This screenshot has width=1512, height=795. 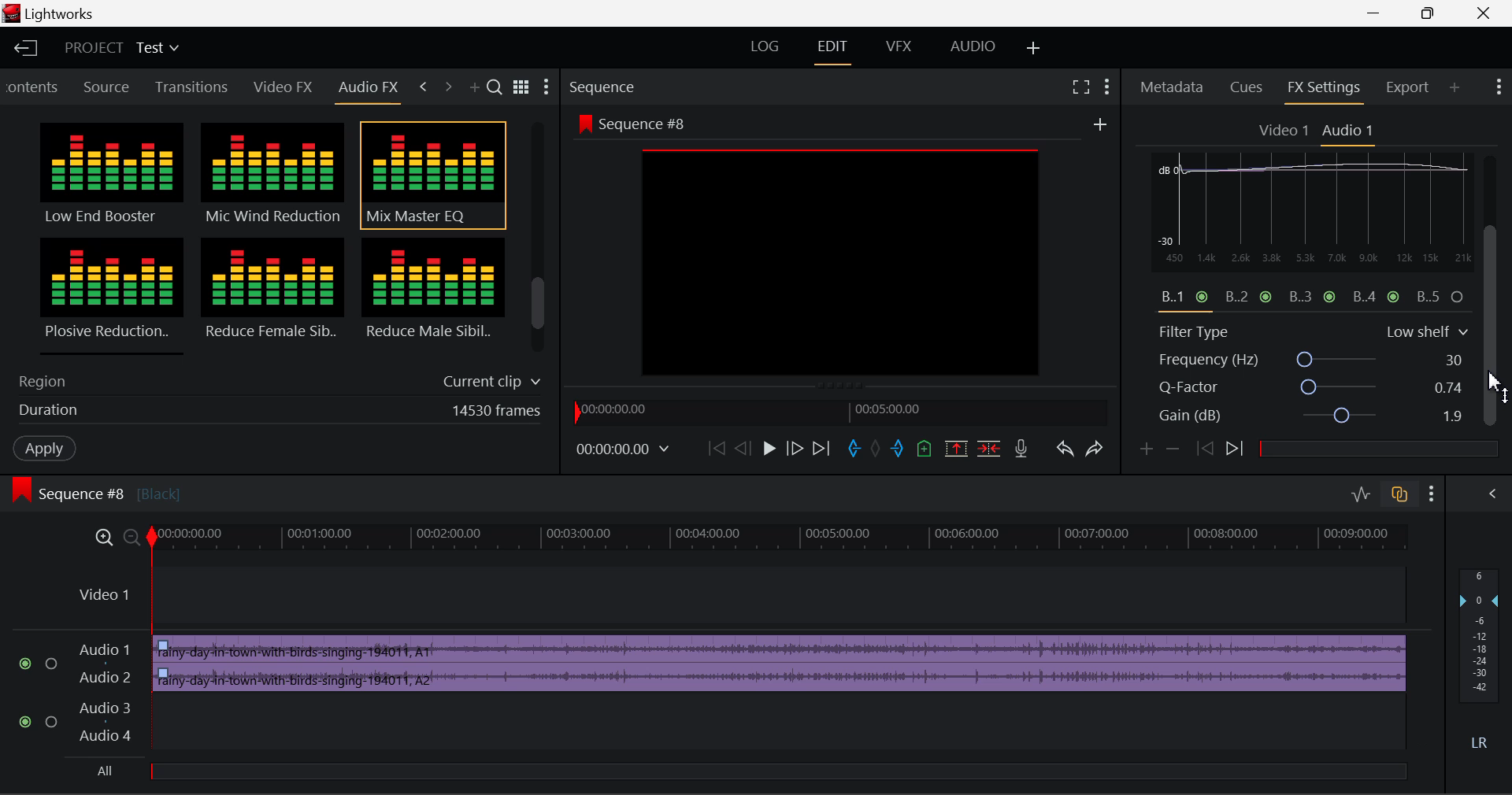 What do you see at coordinates (1167, 164) in the screenshot?
I see `EQ Menu Open` at bounding box center [1167, 164].